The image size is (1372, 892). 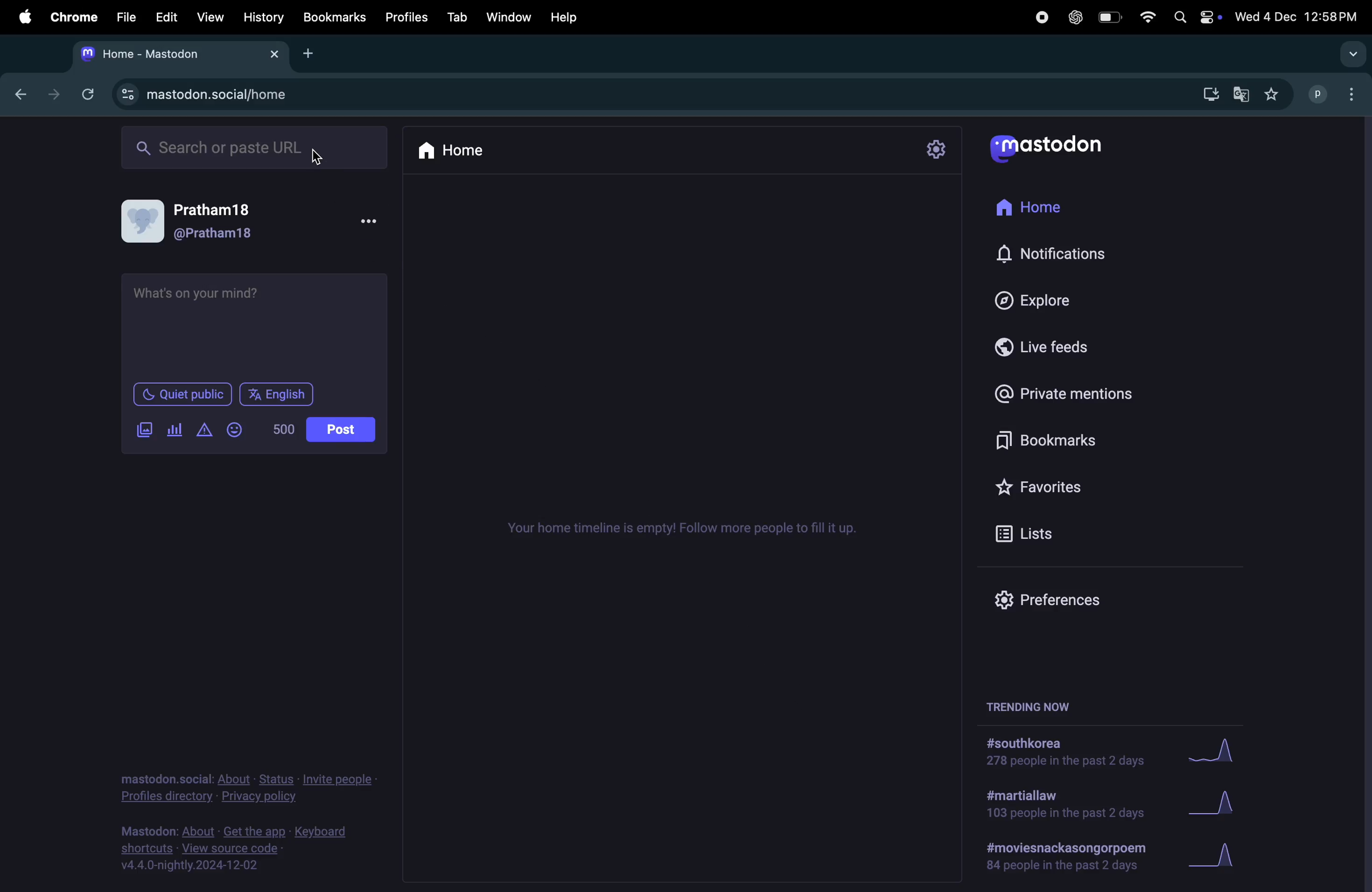 I want to click on google translate, so click(x=1243, y=92).